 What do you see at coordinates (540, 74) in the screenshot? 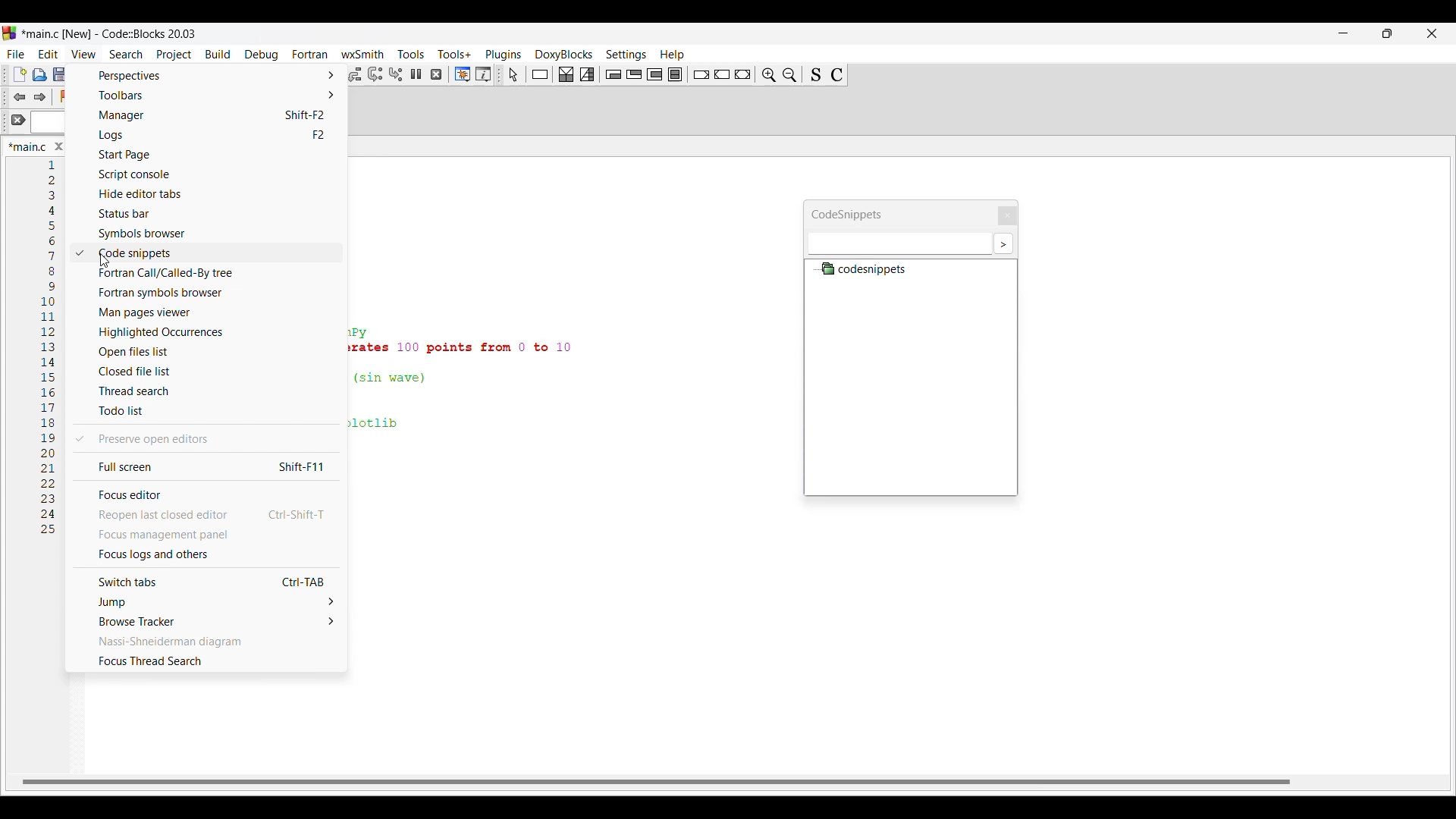
I see `Instruction` at bounding box center [540, 74].